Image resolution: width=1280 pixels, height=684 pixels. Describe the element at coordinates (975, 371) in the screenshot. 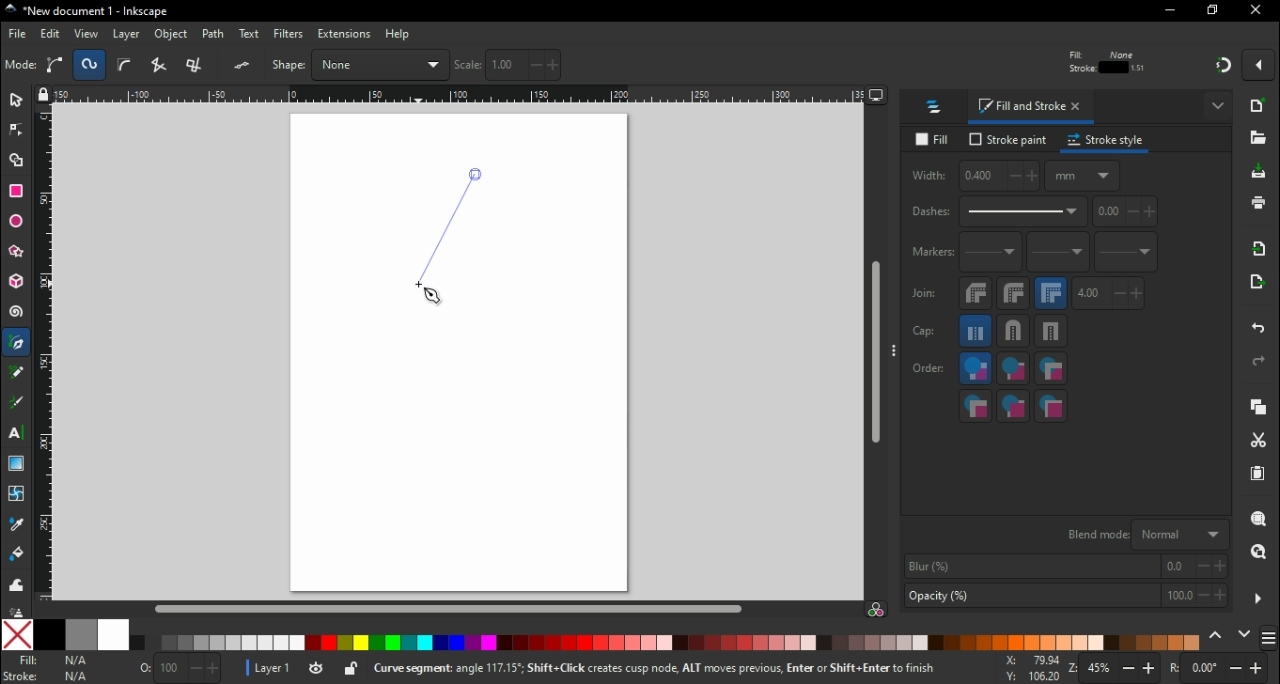

I see `fill,stroke,markers` at that location.